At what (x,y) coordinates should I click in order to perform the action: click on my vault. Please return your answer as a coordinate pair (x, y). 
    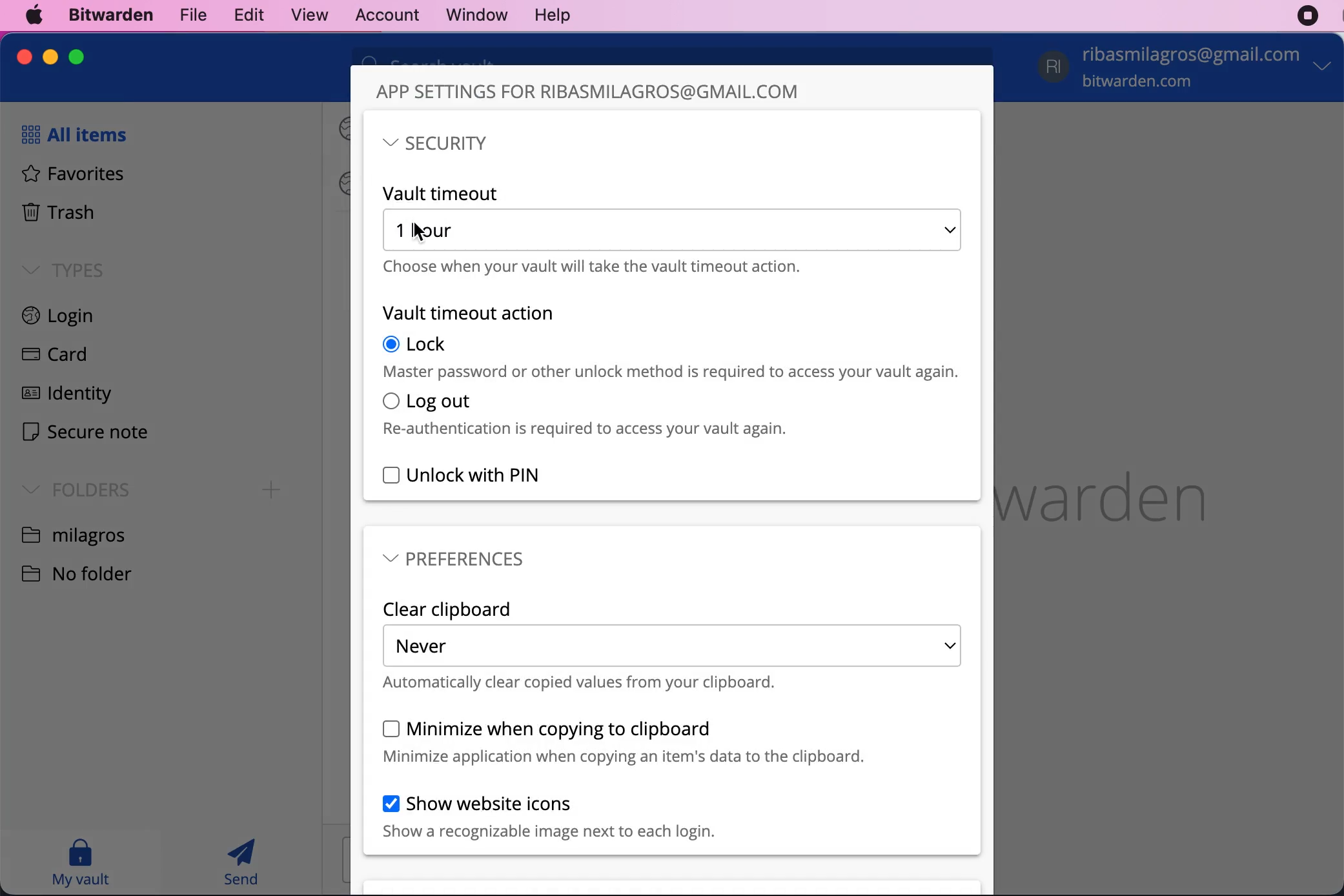
    Looking at the image, I should click on (80, 862).